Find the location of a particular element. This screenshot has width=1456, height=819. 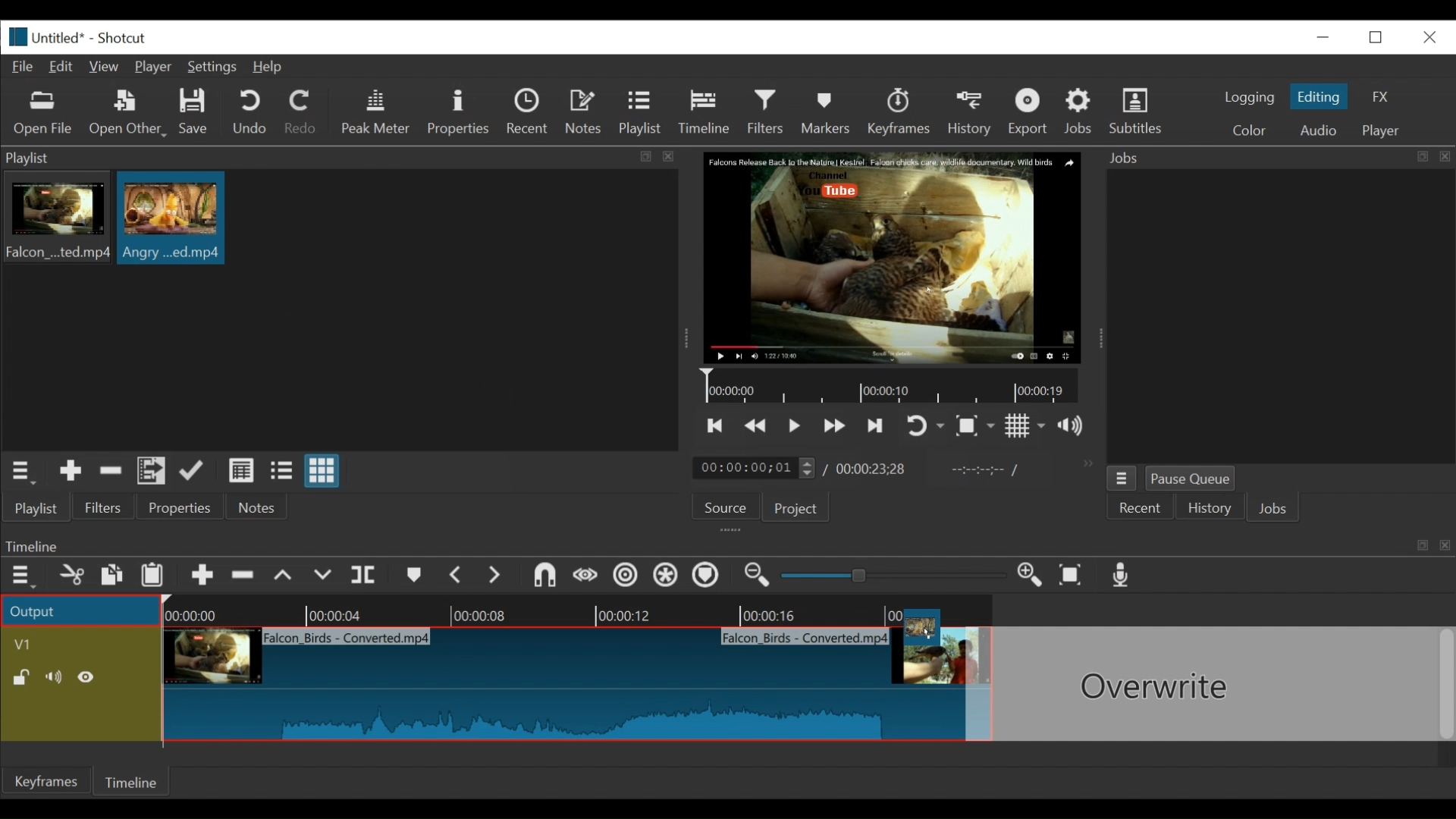

next marker is located at coordinates (497, 576).